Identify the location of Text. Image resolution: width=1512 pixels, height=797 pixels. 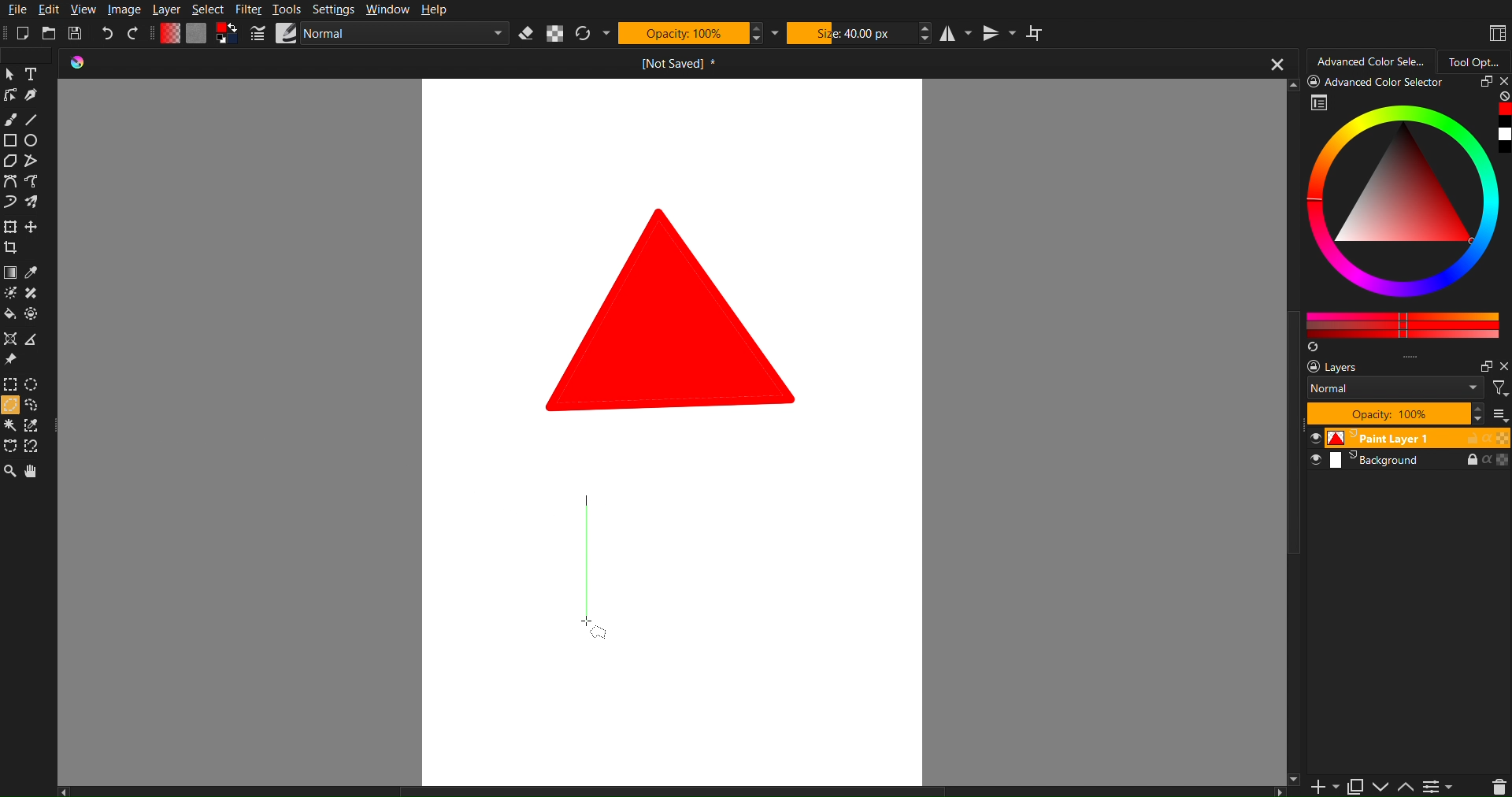
(31, 74).